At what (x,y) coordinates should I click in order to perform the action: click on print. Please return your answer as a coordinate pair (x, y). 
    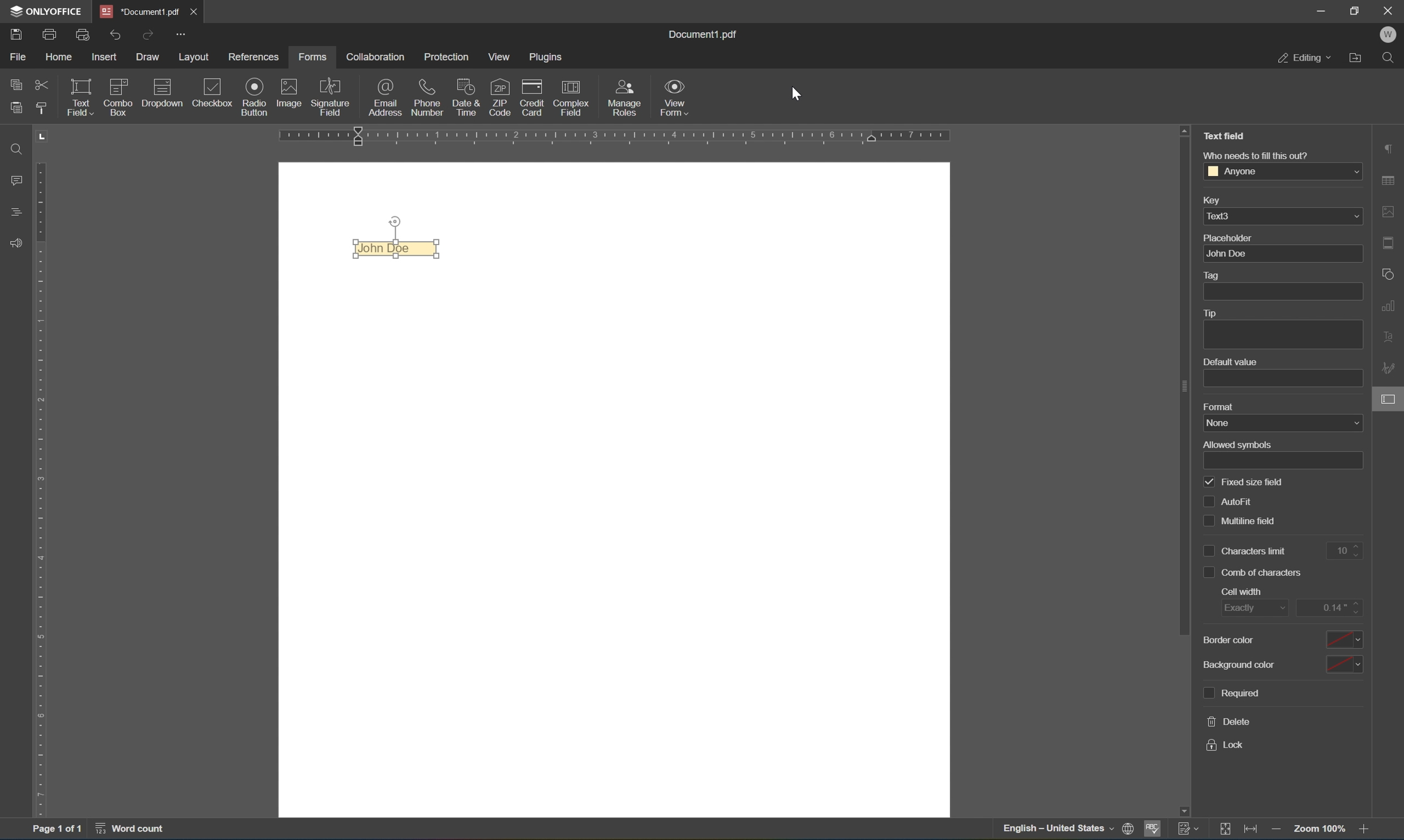
    Looking at the image, I should click on (49, 32).